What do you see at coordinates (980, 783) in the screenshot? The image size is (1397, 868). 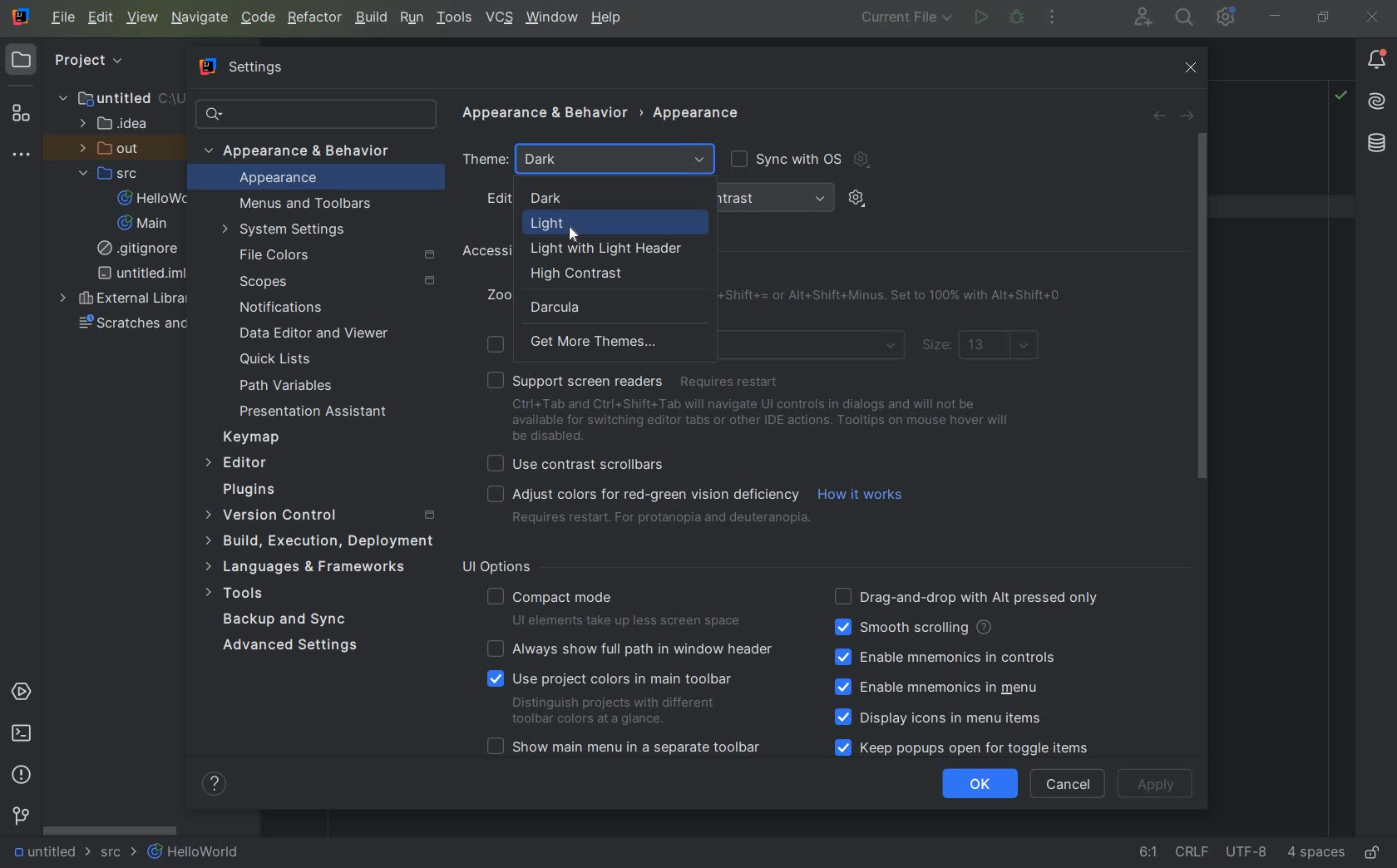 I see `ok` at bounding box center [980, 783].